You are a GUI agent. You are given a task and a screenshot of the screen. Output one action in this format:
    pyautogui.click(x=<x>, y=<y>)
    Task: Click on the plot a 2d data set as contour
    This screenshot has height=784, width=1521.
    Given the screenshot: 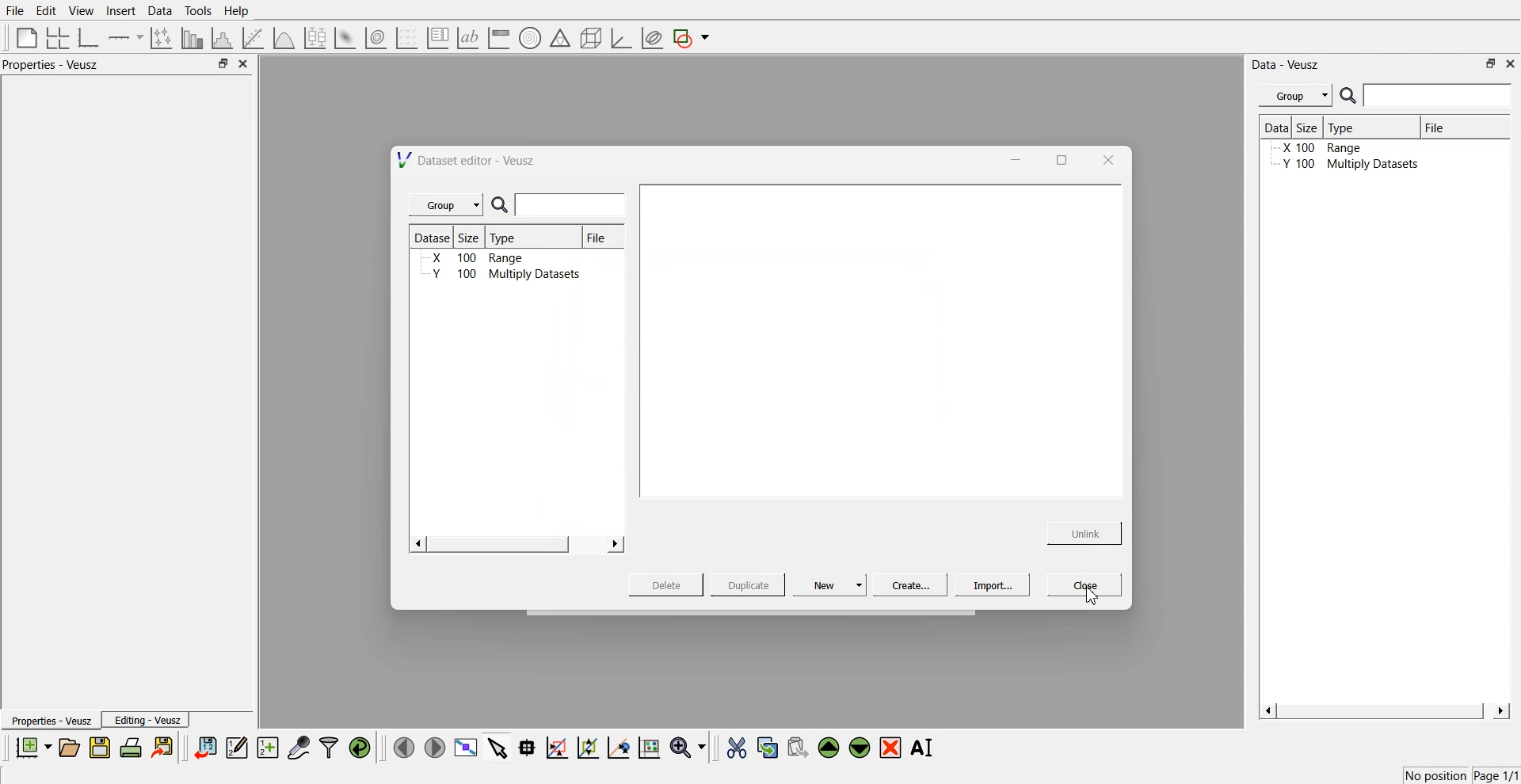 What is the action you would take?
    pyautogui.click(x=375, y=39)
    